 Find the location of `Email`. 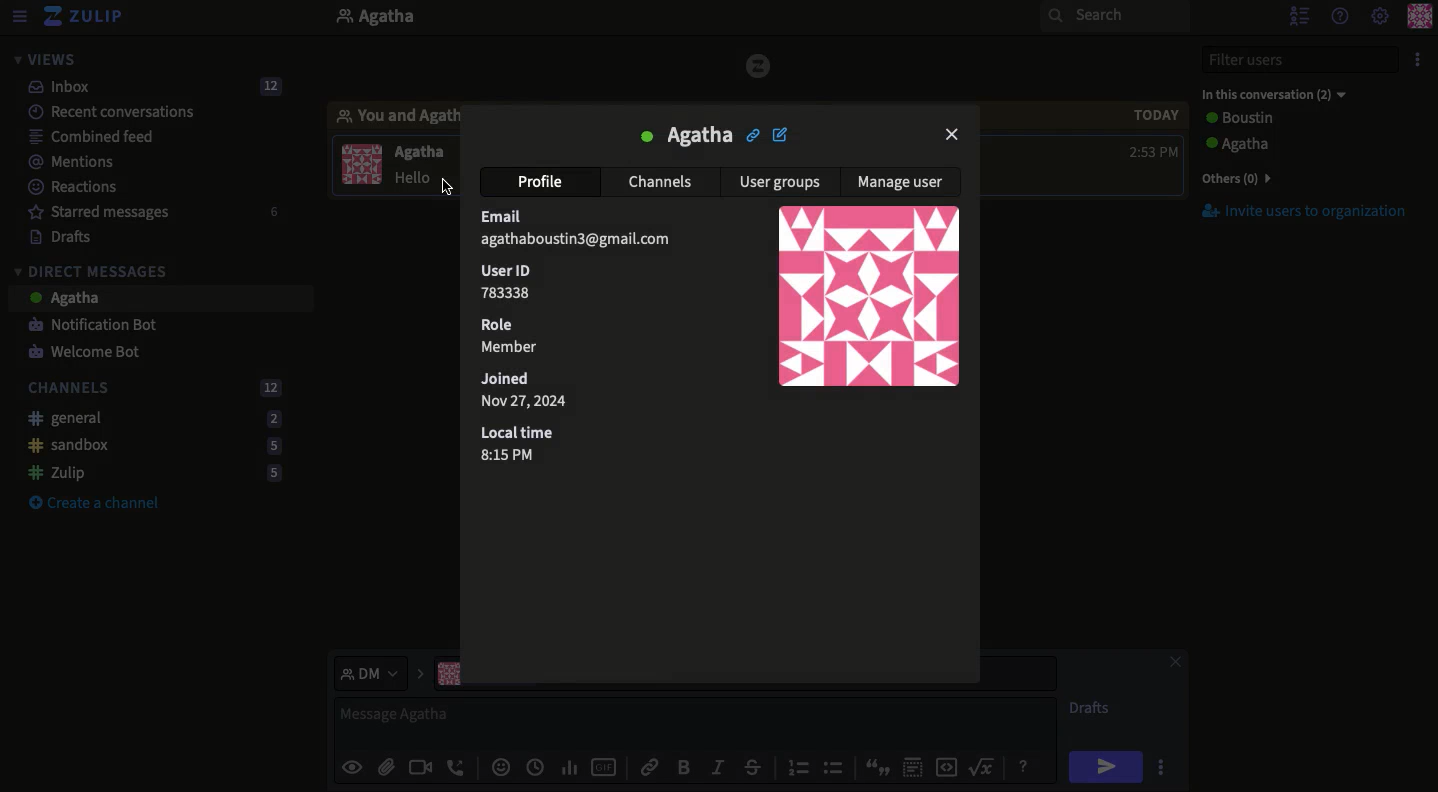

Email is located at coordinates (582, 230).